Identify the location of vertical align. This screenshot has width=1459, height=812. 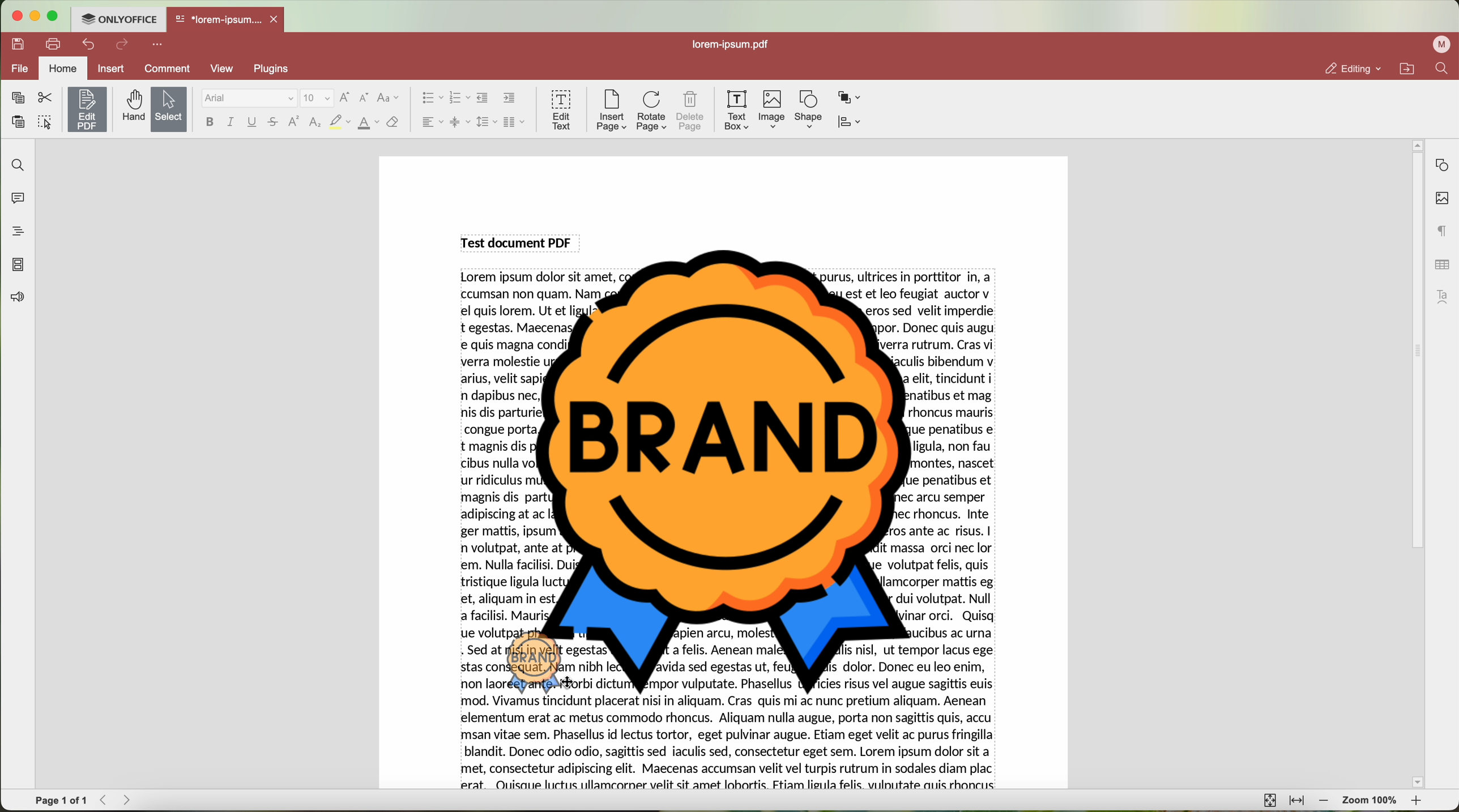
(459, 122).